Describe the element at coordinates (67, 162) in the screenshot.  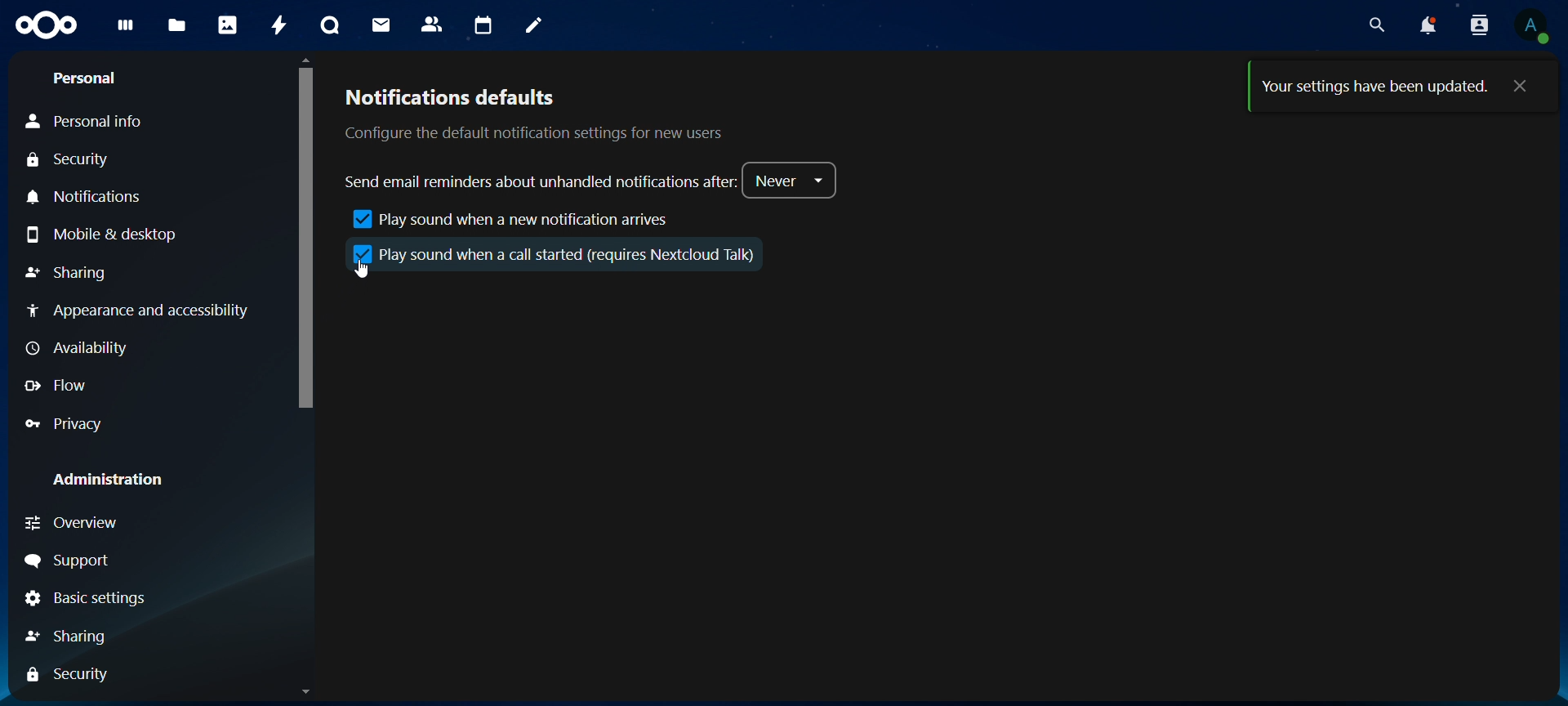
I see `Security` at that location.